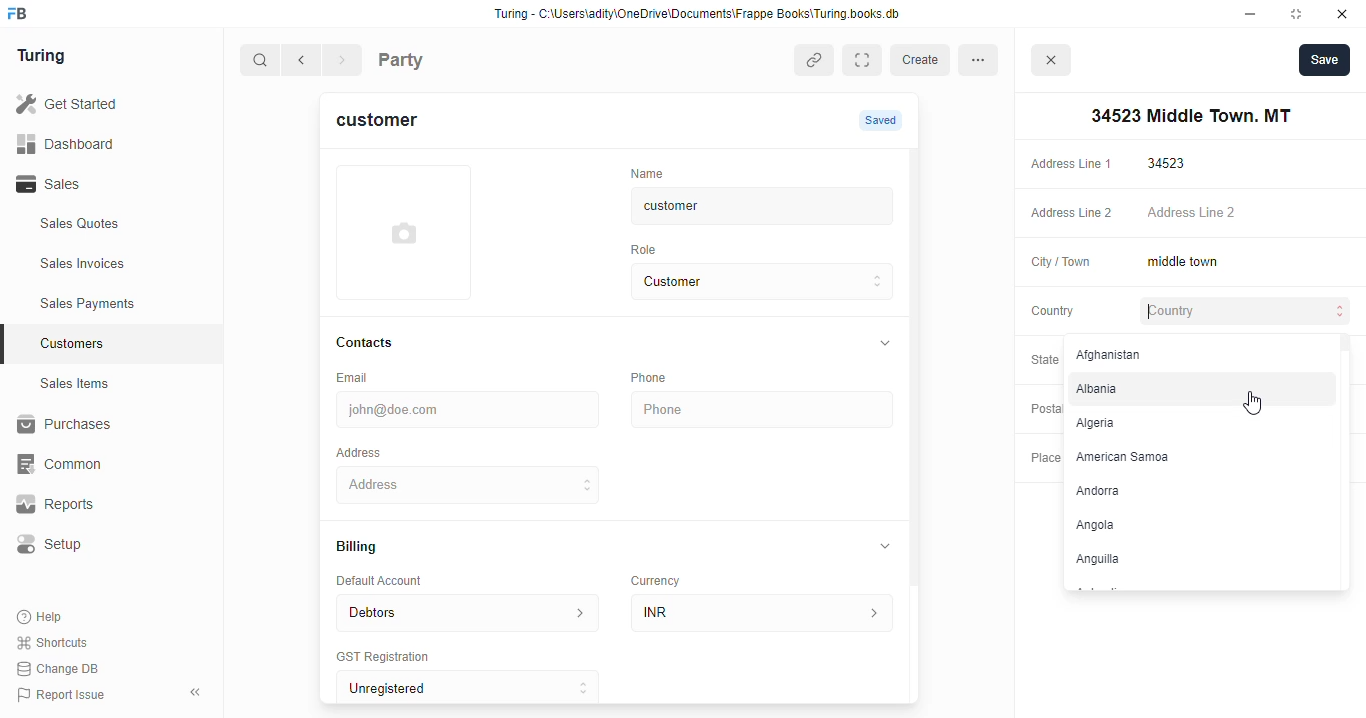  What do you see at coordinates (984, 59) in the screenshot?
I see `more options` at bounding box center [984, 59].